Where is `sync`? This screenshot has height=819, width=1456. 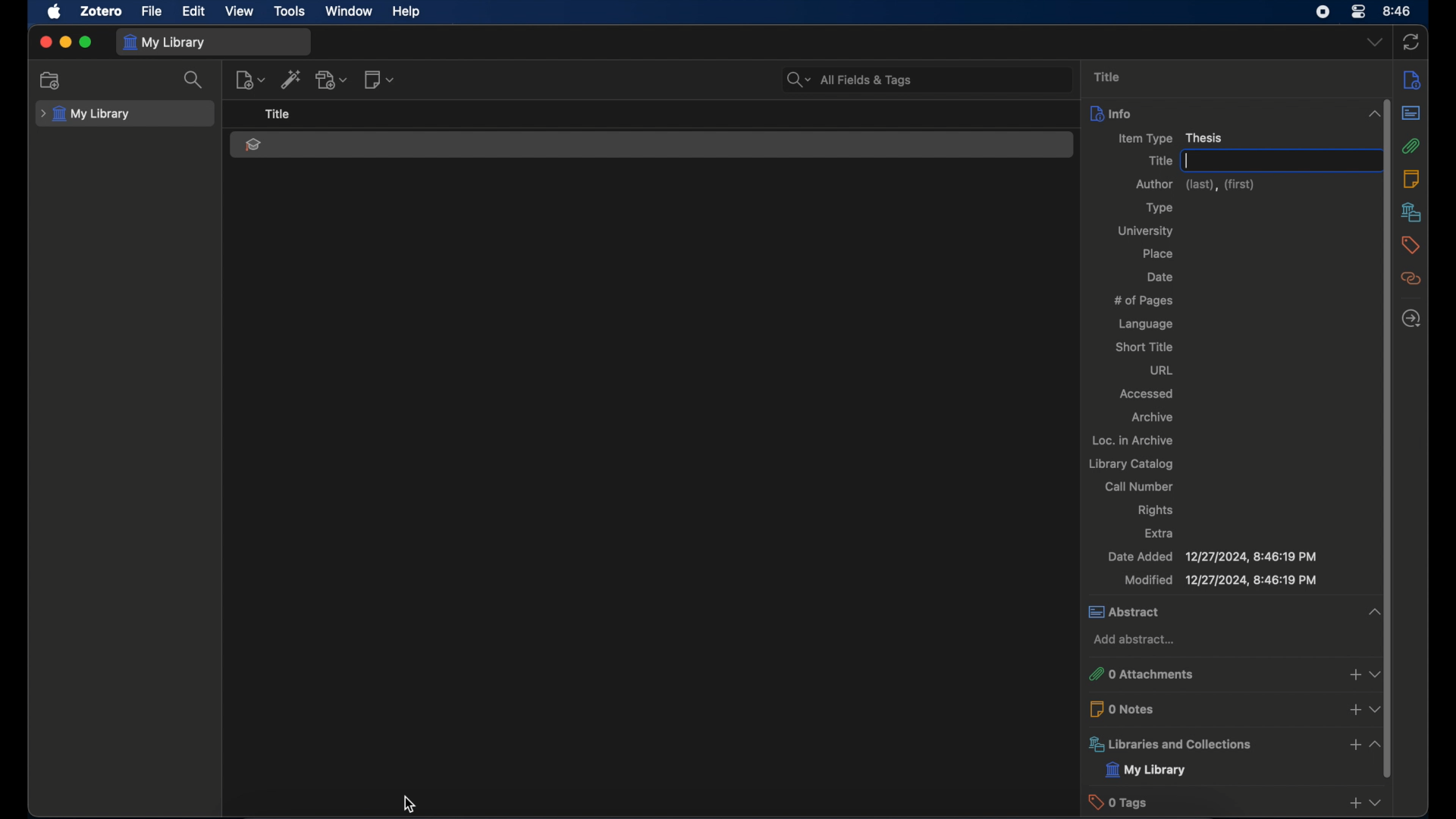
sync is located at coordinates (1411, 43).